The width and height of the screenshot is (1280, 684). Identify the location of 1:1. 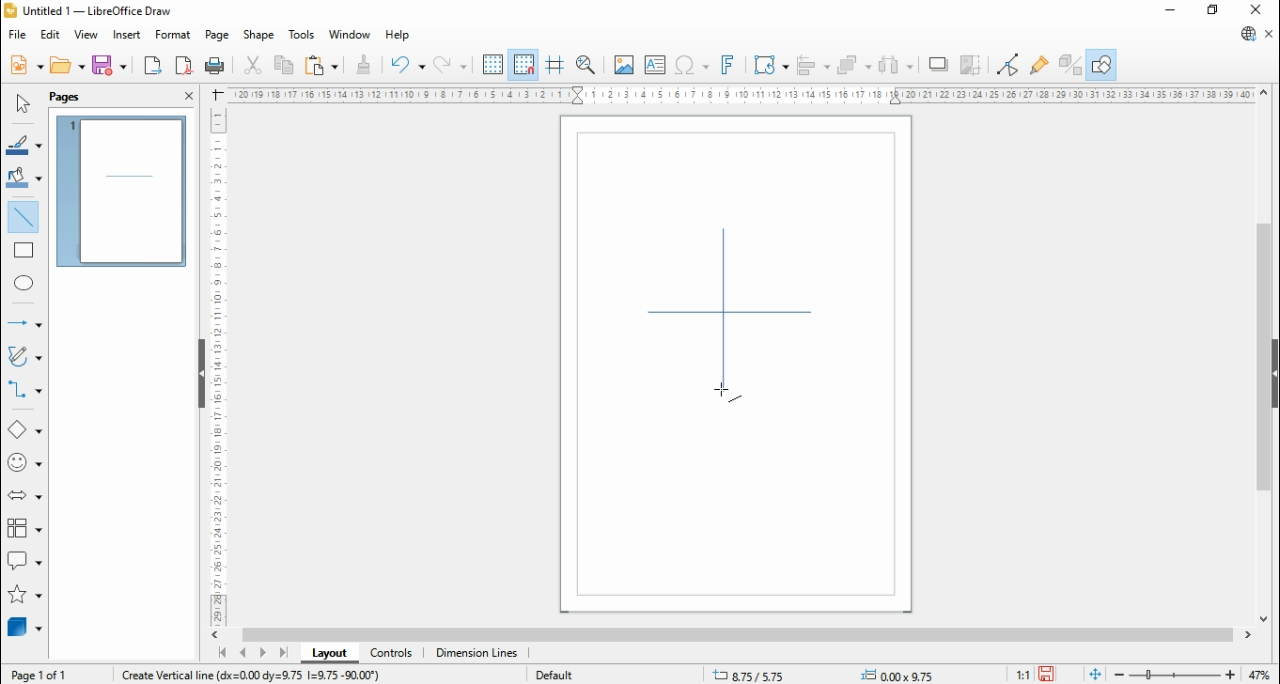
(1021, 675).